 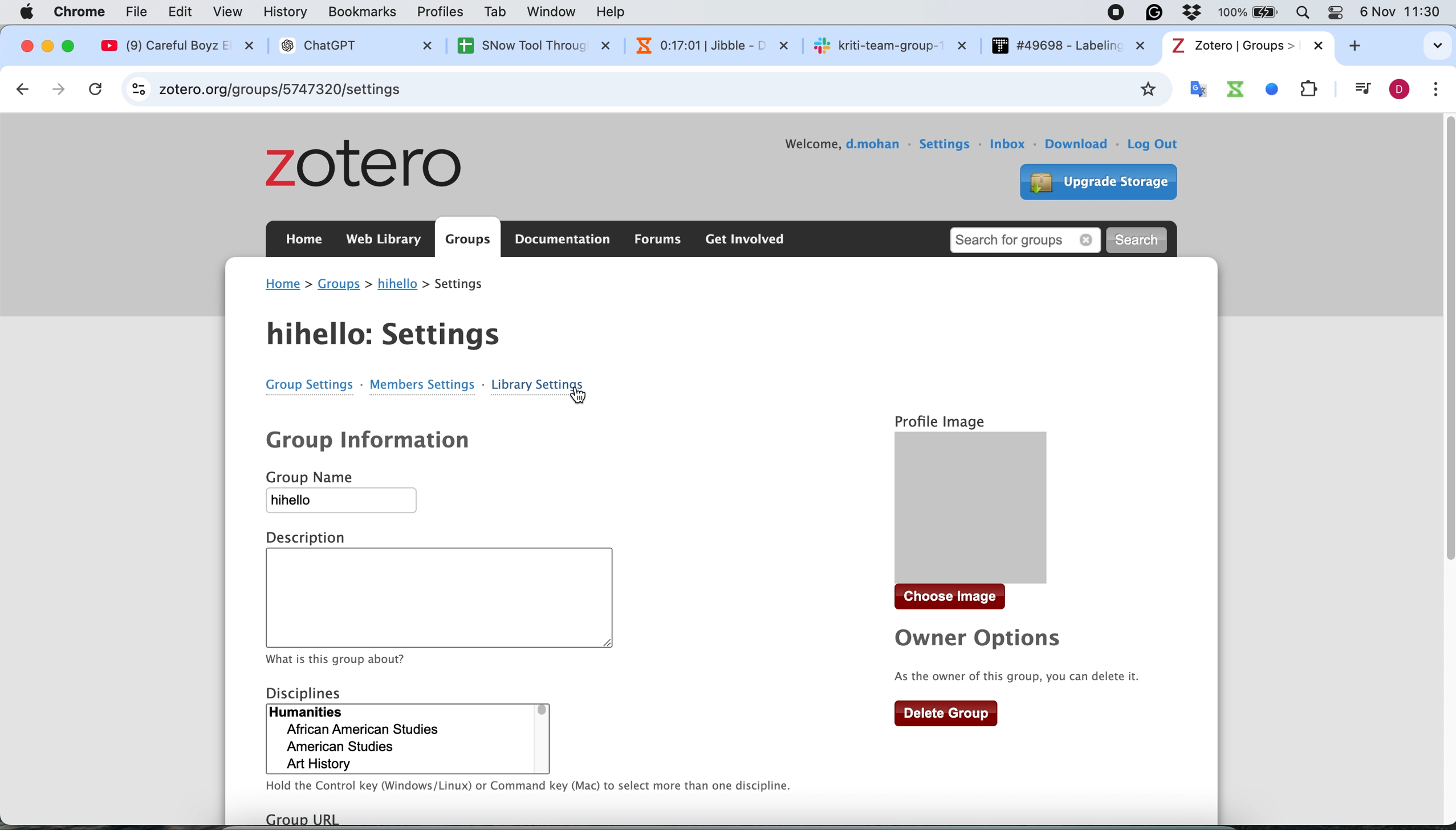 What do you see at coordinates (330, 478) in the screenshot?
I see `group Name` at bounding box center [330, 478].